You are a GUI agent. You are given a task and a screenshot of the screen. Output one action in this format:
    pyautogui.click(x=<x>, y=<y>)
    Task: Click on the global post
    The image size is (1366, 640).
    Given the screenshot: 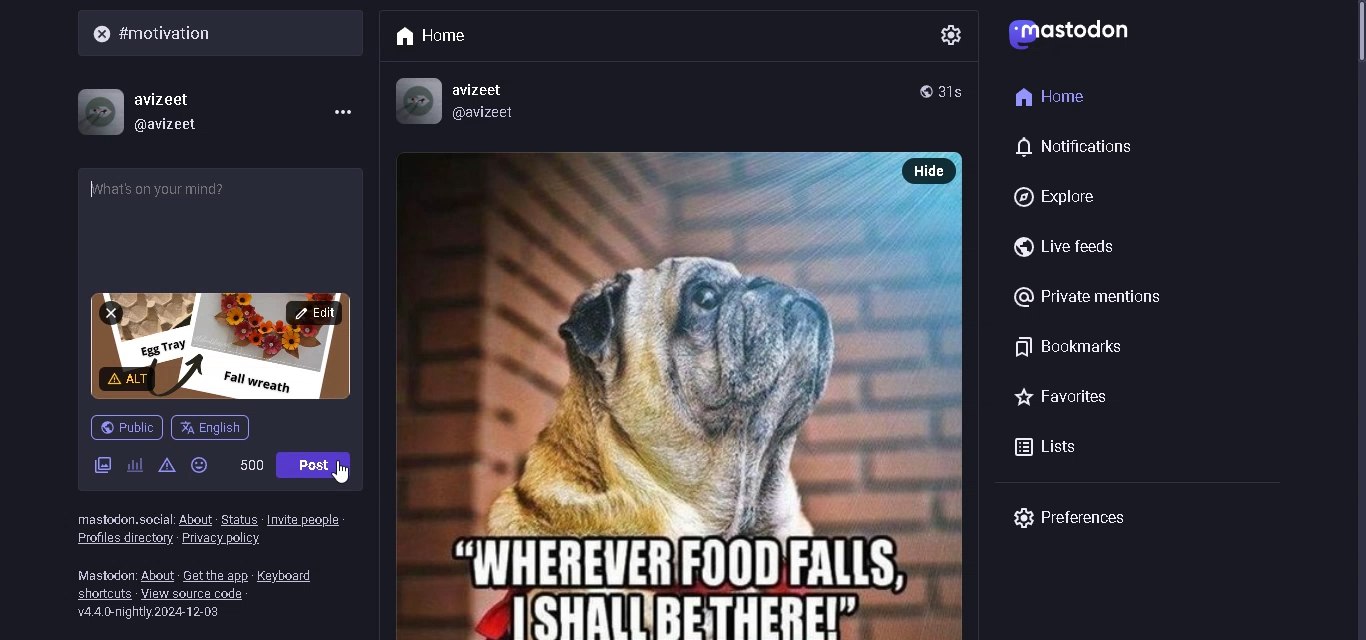 What is the action you would take?
    pyautogui.click(x=925, y=90)
    